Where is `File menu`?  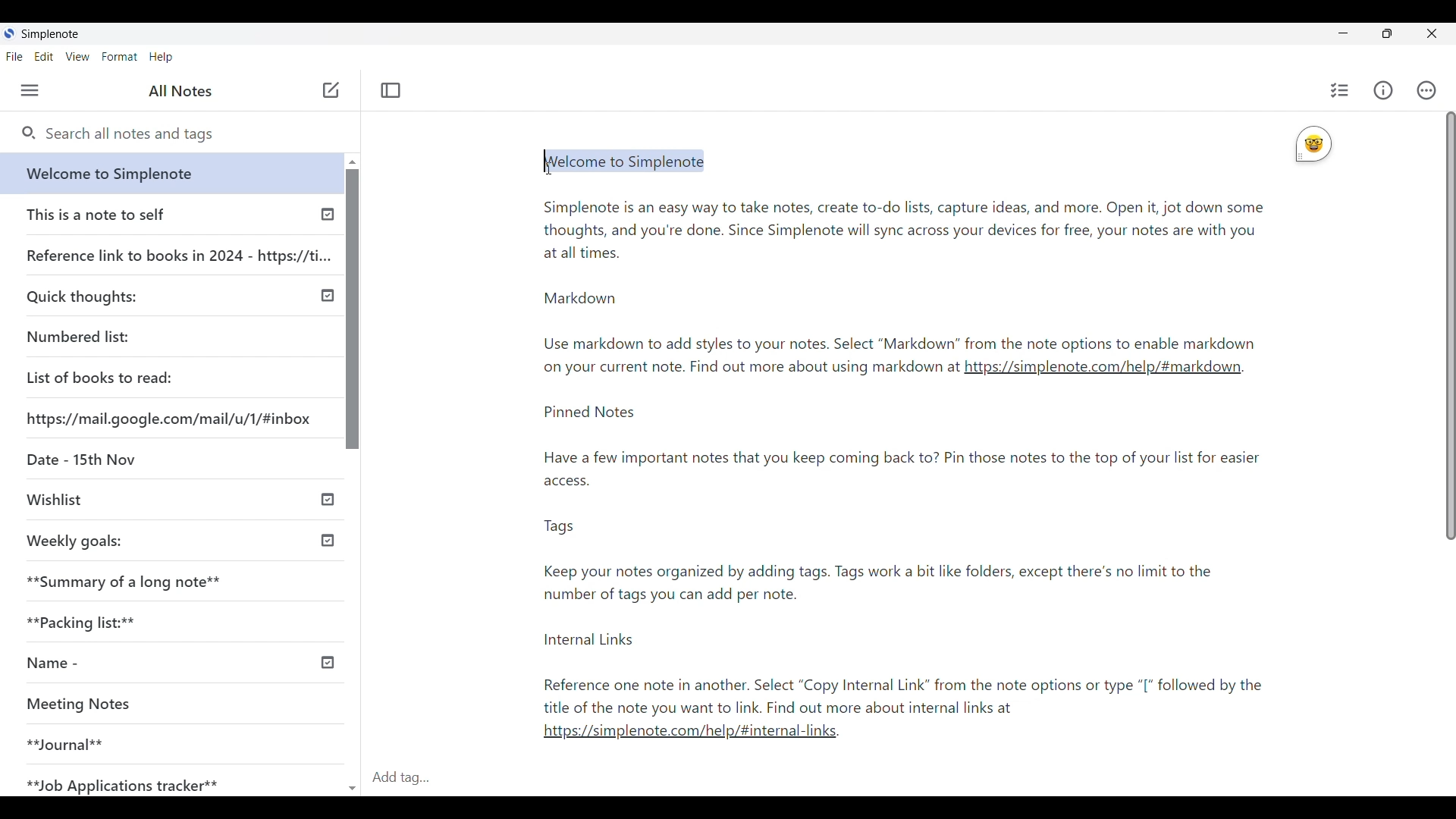 File menu is located at coordinates (15, 56).